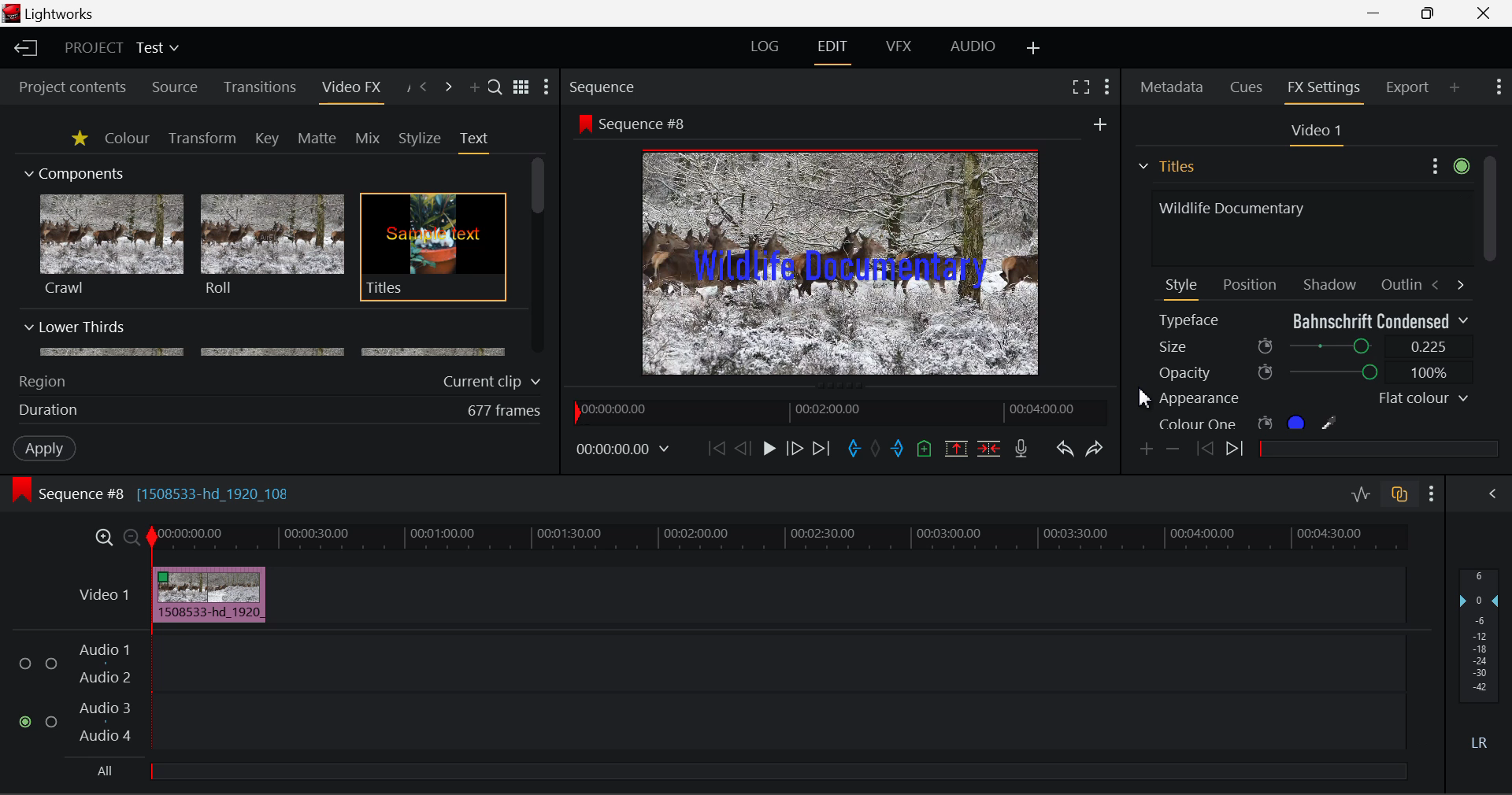 The width and height of the screenshot is (1512, 795). What do you see at coordinates (1036, 50) in the screenshot?
I see `Add Layout` at bounding box center [1036, 50].